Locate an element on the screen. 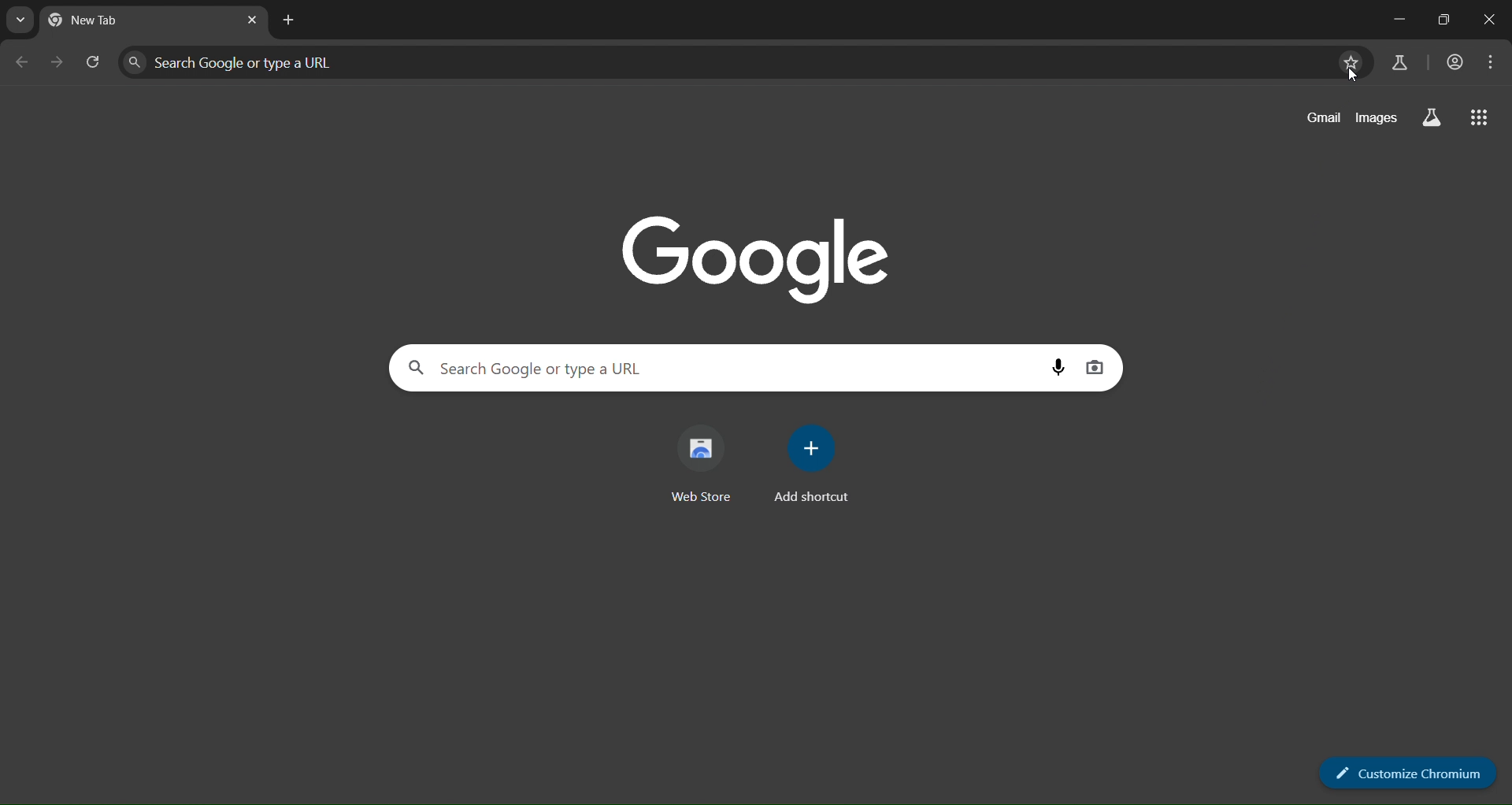  minimize is located at coordinates (1397, 17).